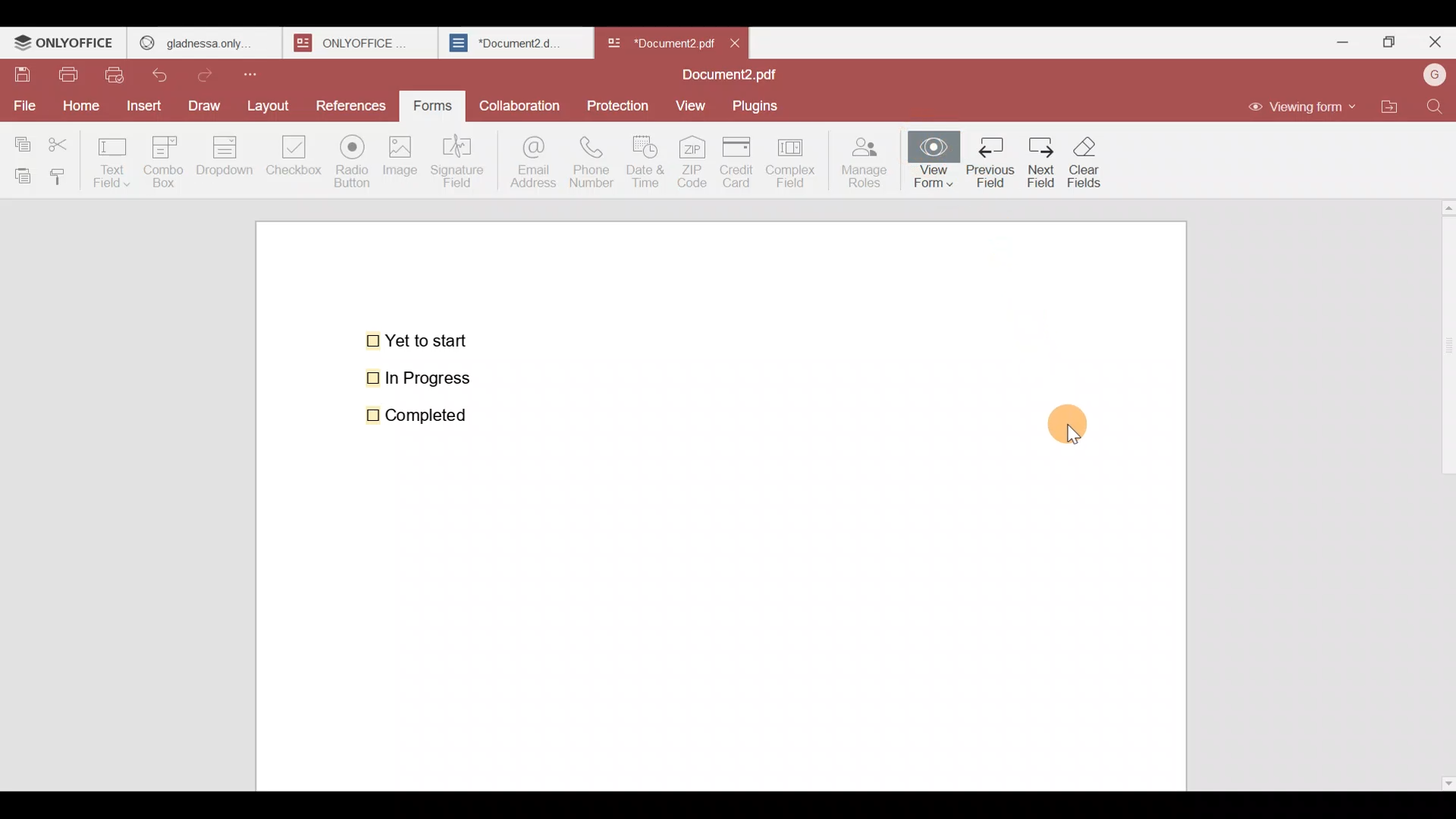 Image resolution: width=1456 pixels, height=819 pixels. Describe the element at coordinates (1434, 45) in the screenshot. I see `Close` at that location.